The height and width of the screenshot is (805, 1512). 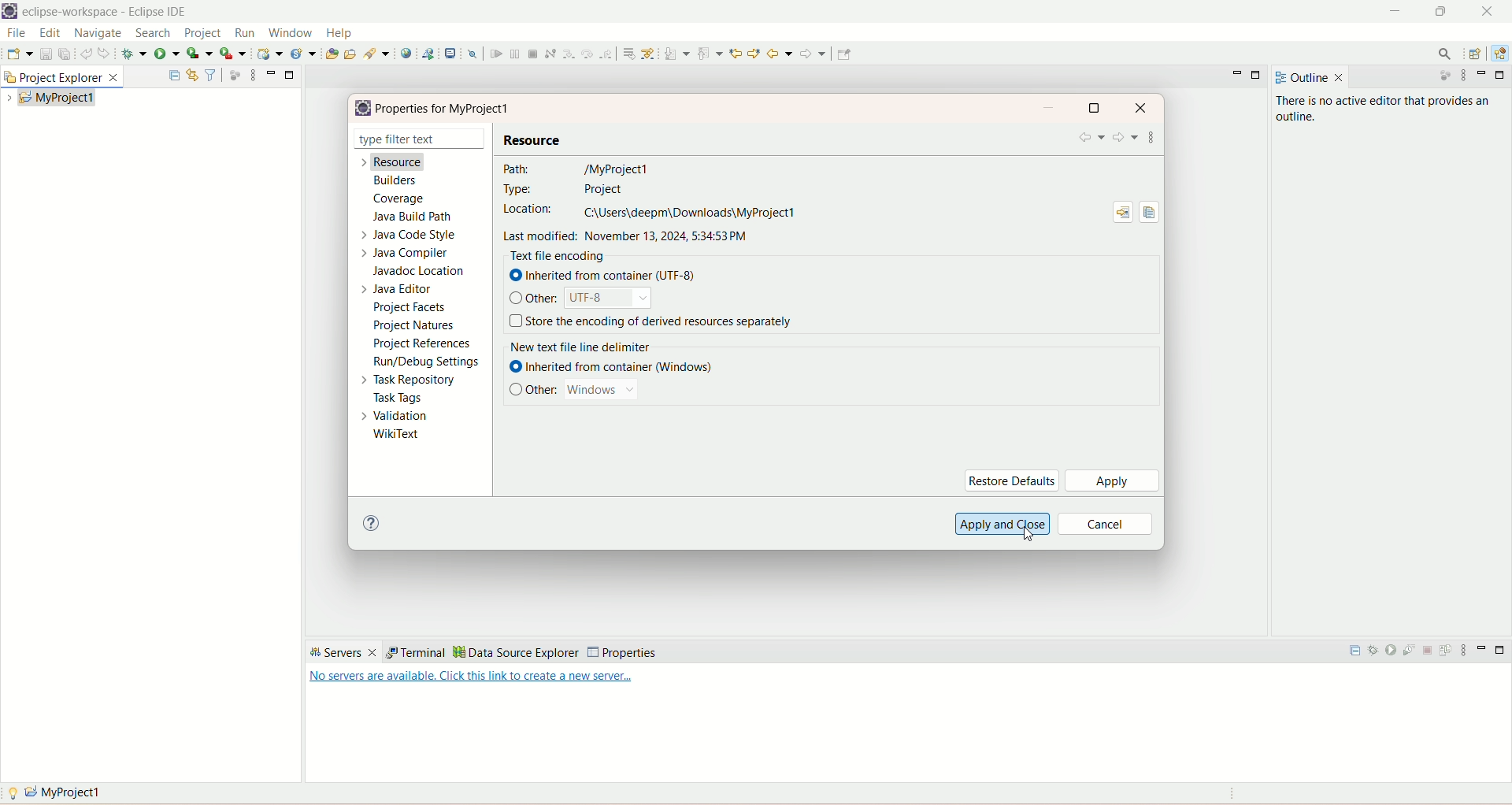 What do you see at coordinates (1123, 214) in the screenshot?
I see `show in system explorer` at bounding box center [1123, 214].